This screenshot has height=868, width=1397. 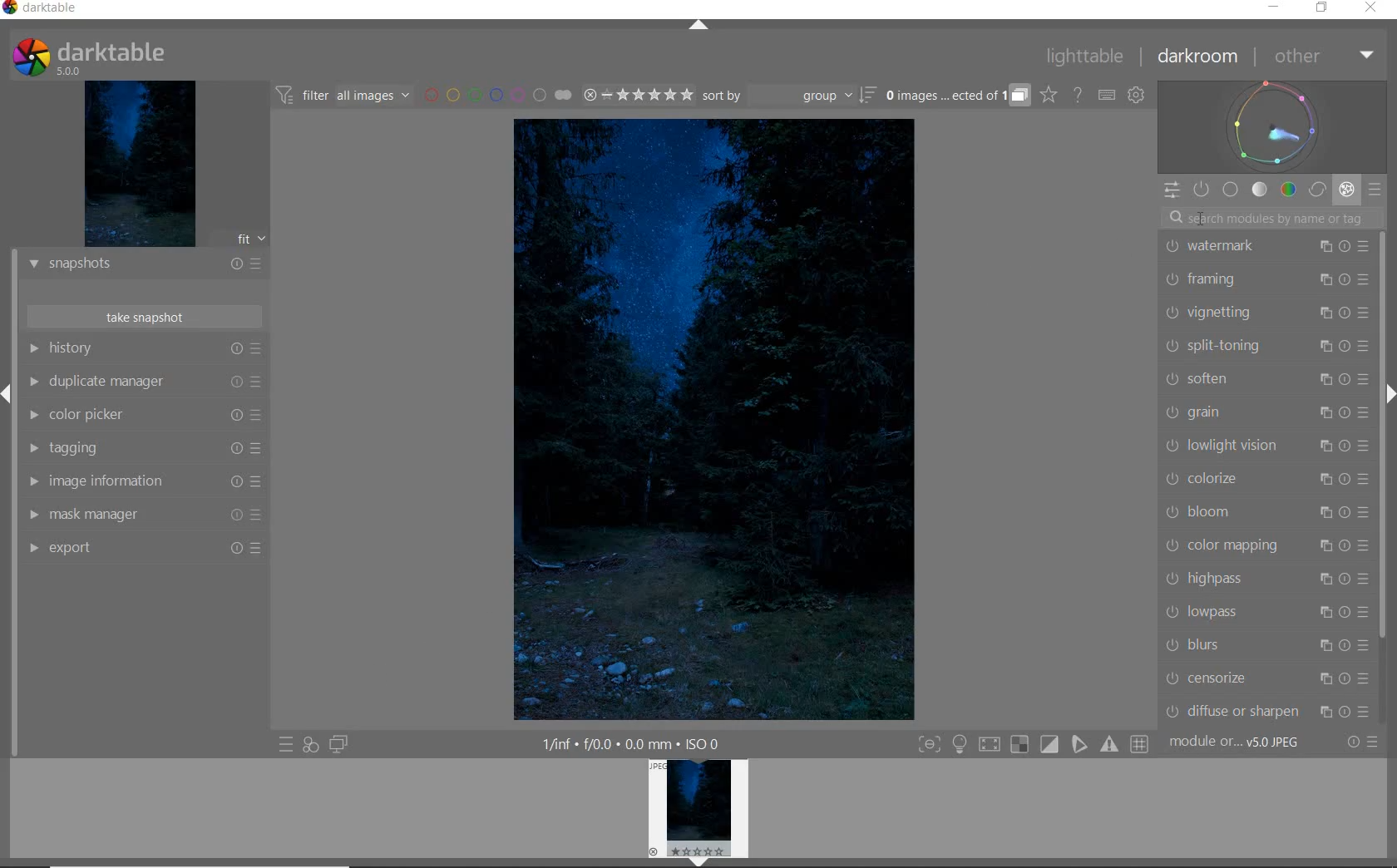 What do you see at coordinates (1265, 479) in the screenshot?
I see `COLORIZE` at bounding box center [1265, 479].